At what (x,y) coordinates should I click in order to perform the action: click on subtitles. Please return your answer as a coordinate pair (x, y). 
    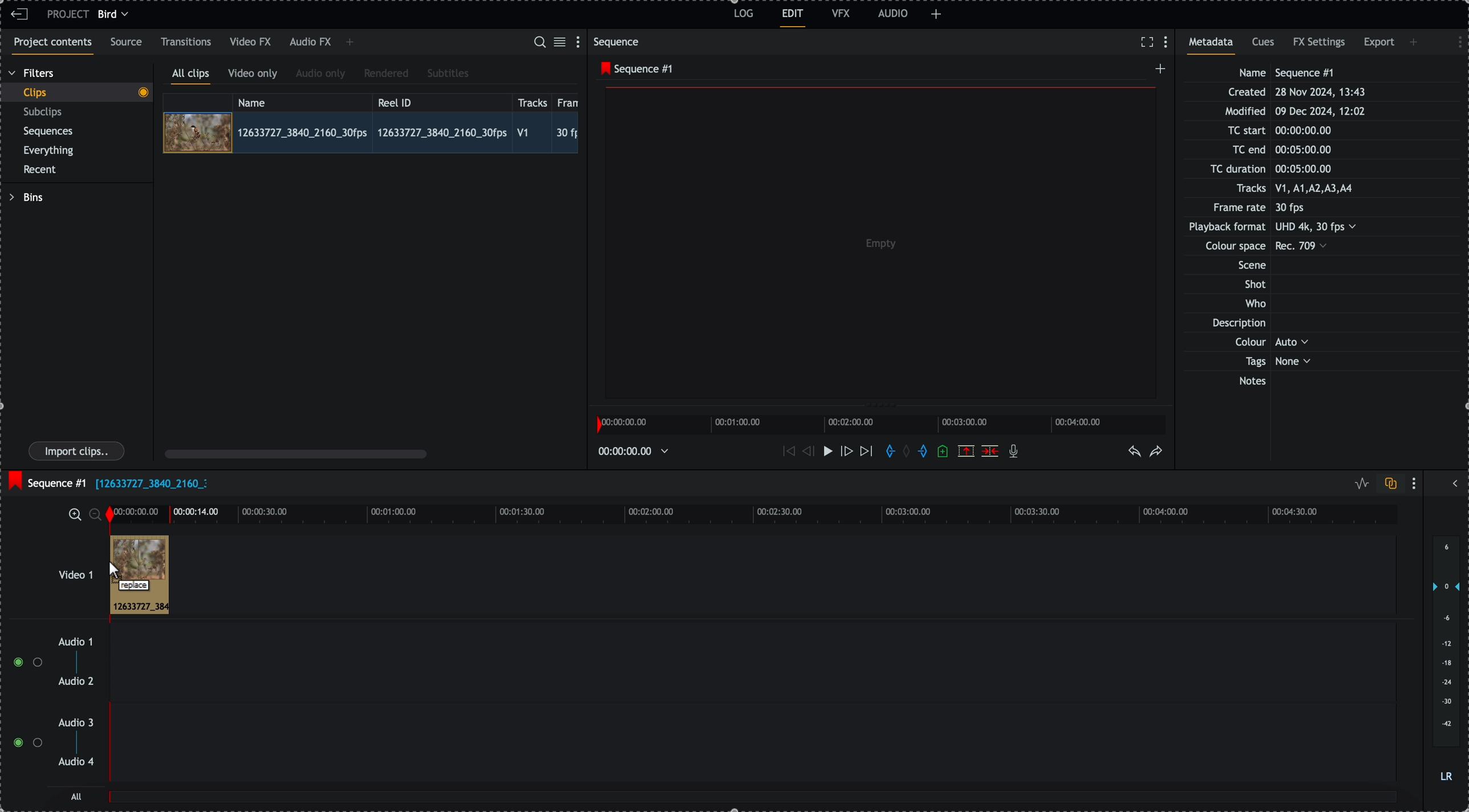
    Looking at the image, I should click on (448, 74).